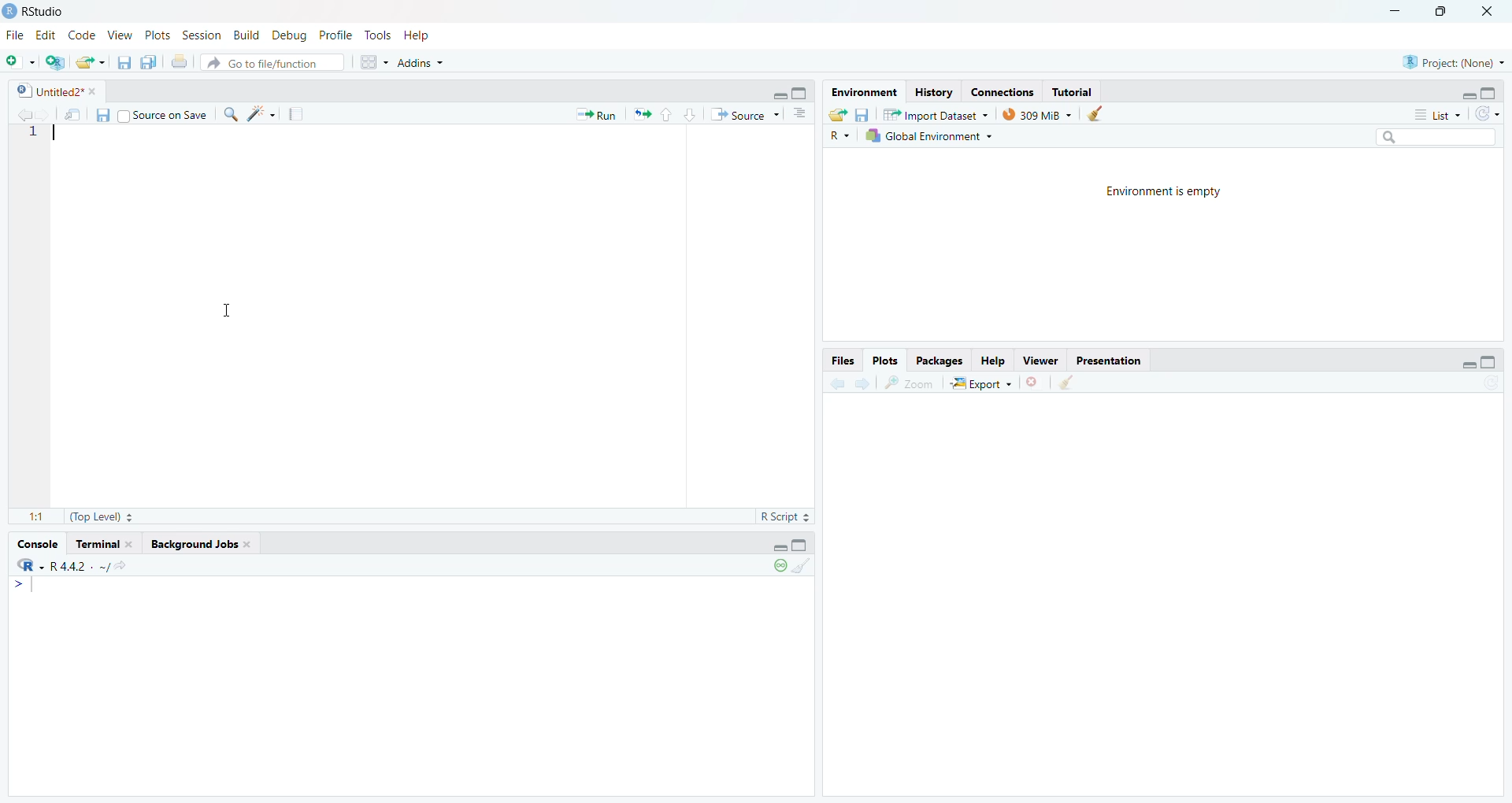  Describe the element at coordinates (422, 65) in the screenshot. I see `Addins ~` at that location.